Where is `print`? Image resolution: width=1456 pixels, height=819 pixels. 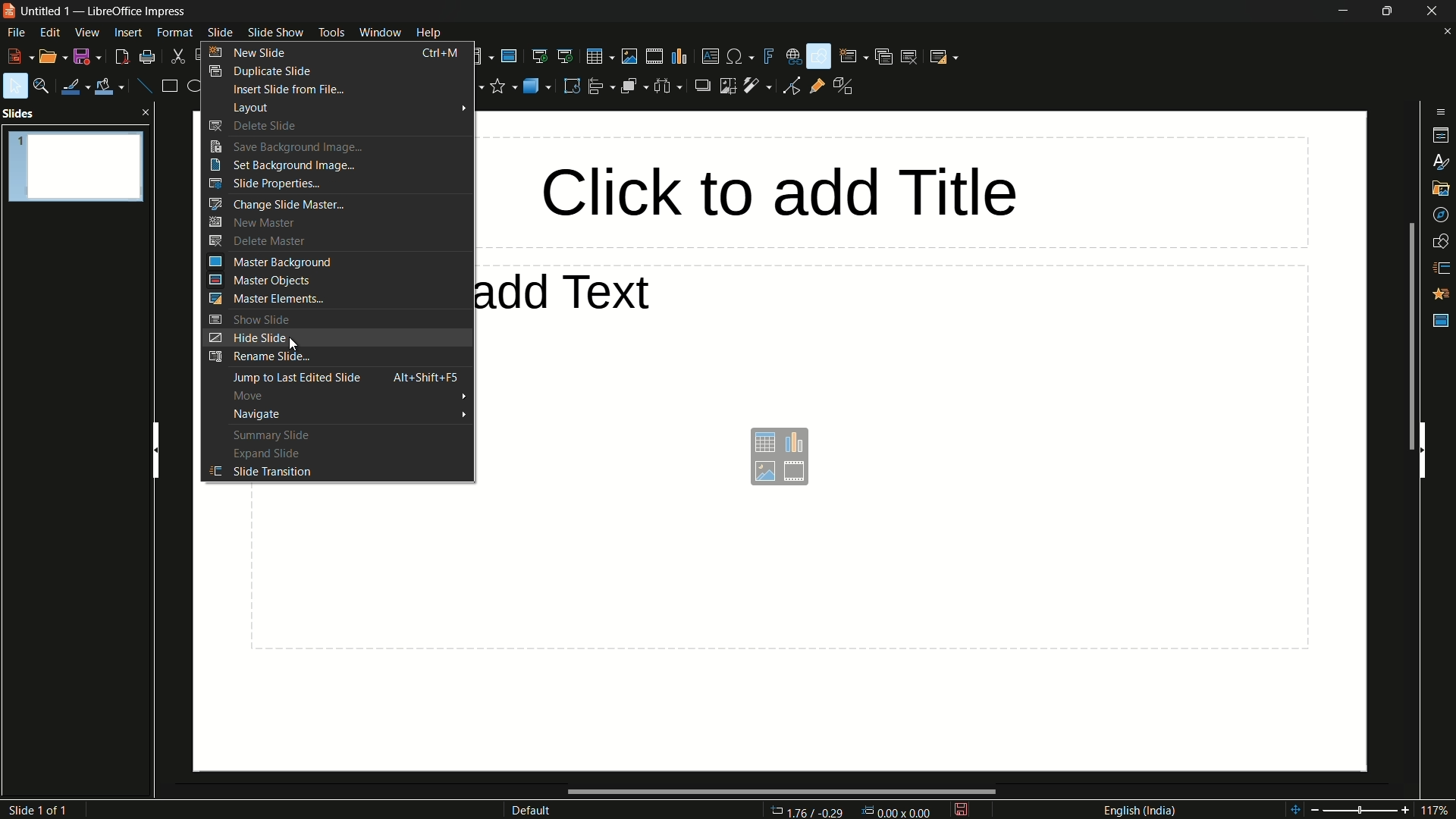 print is located at coordinates (148, 58).